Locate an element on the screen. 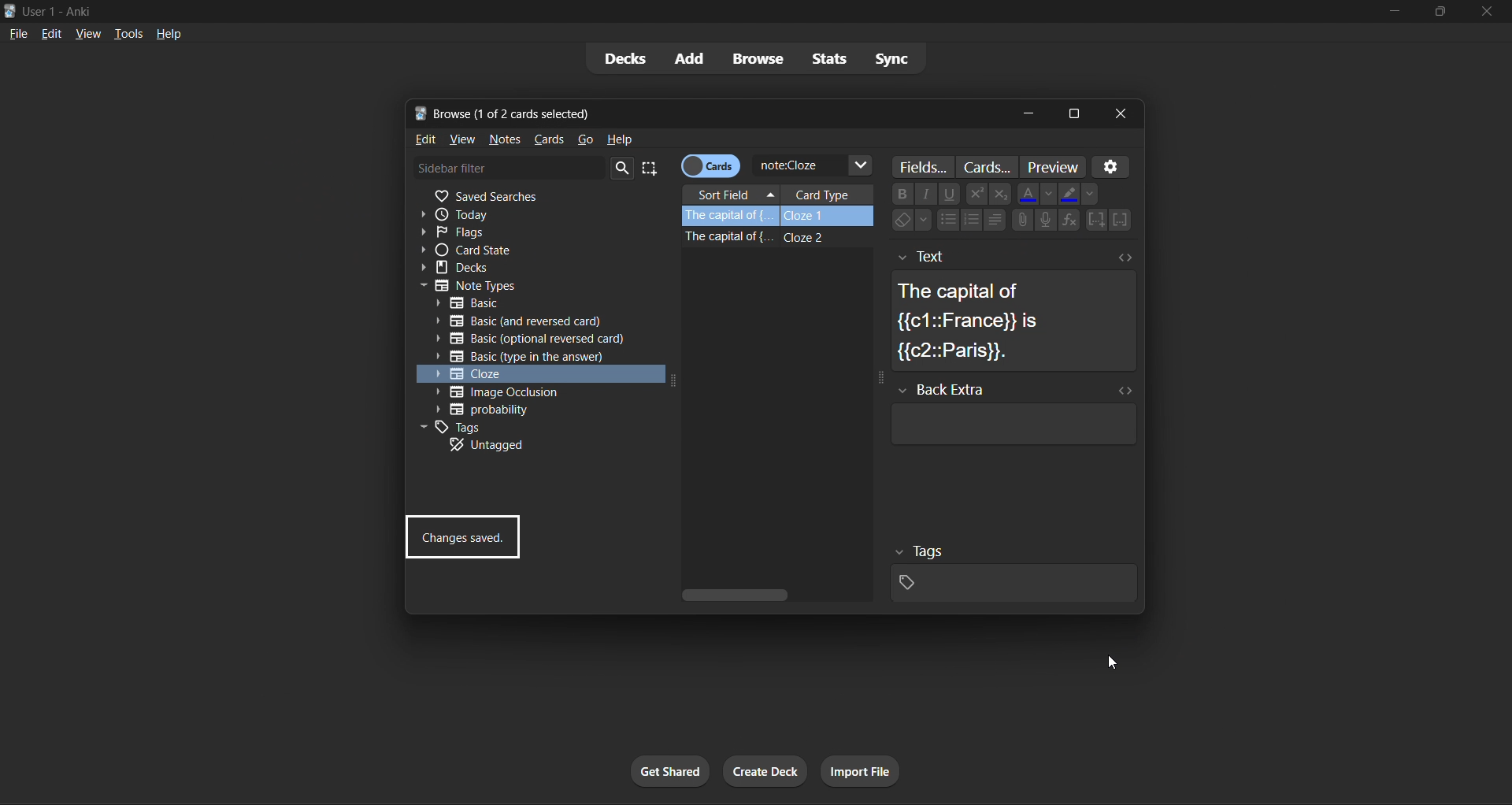  stats is located at coordinates (828, 60).